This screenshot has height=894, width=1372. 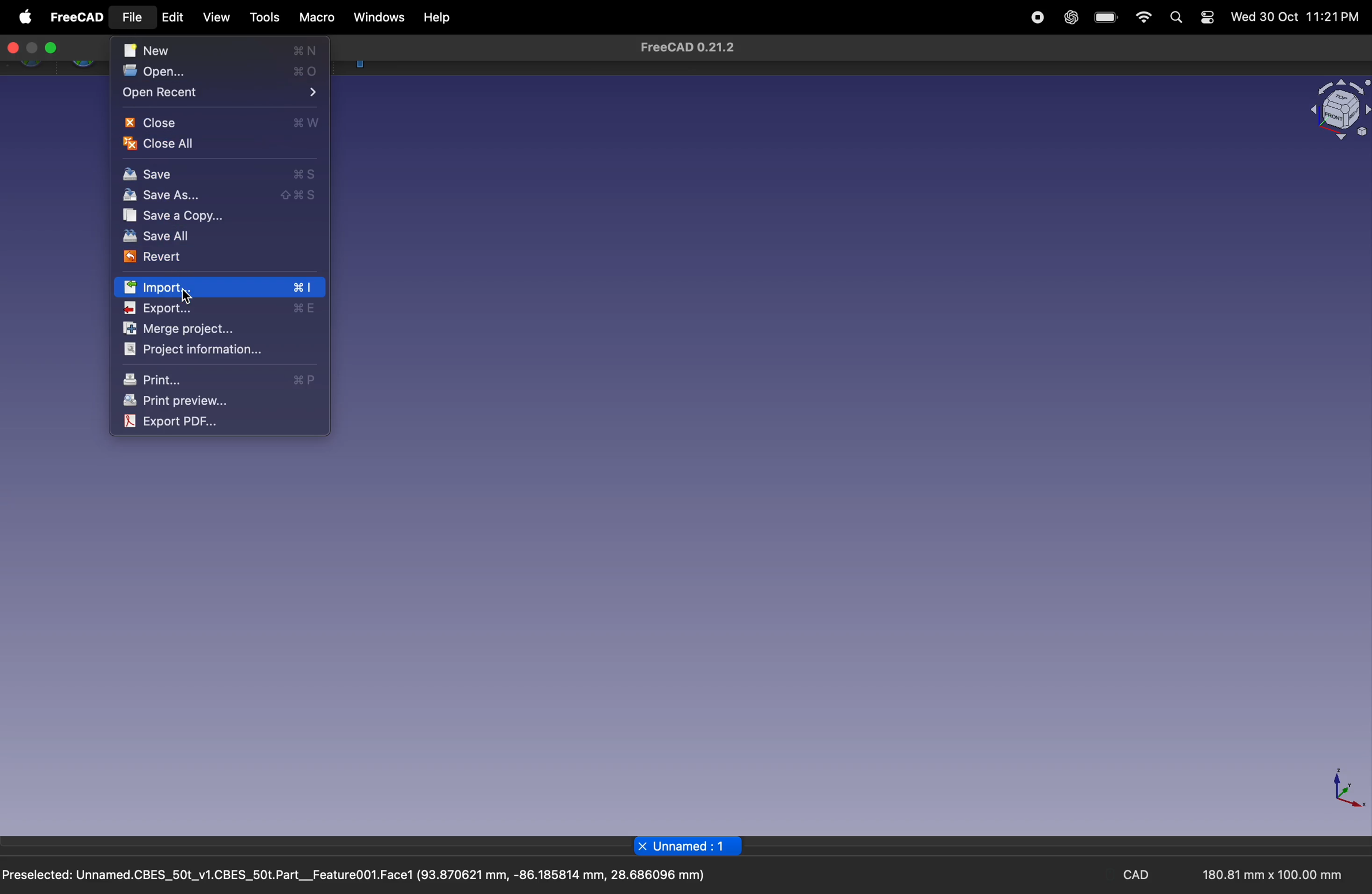 What do you see at coordinates (377, 18) in the screenshot?
I see `windows` at bounding box center [377, 18].